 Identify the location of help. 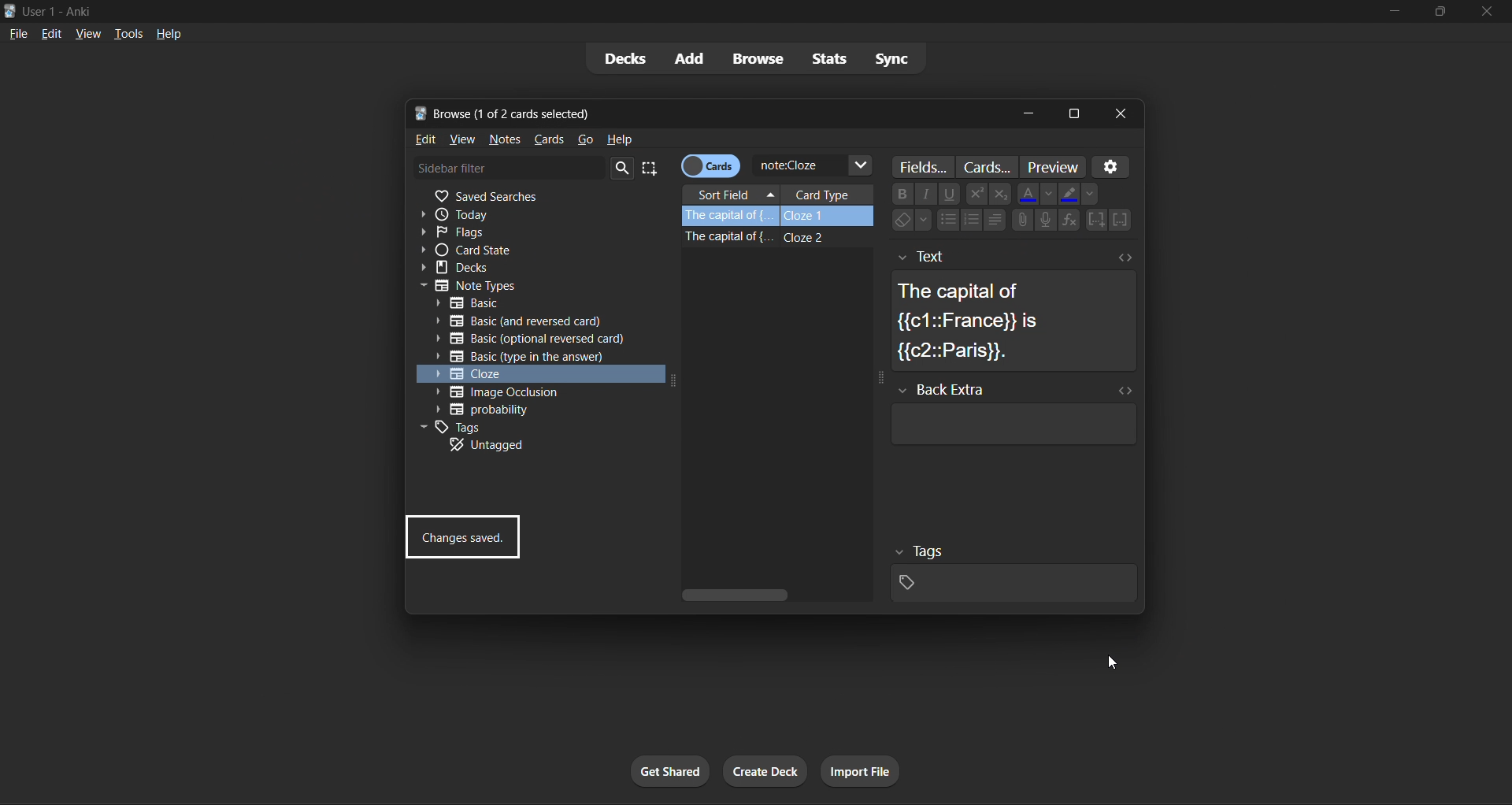
(621, 138).